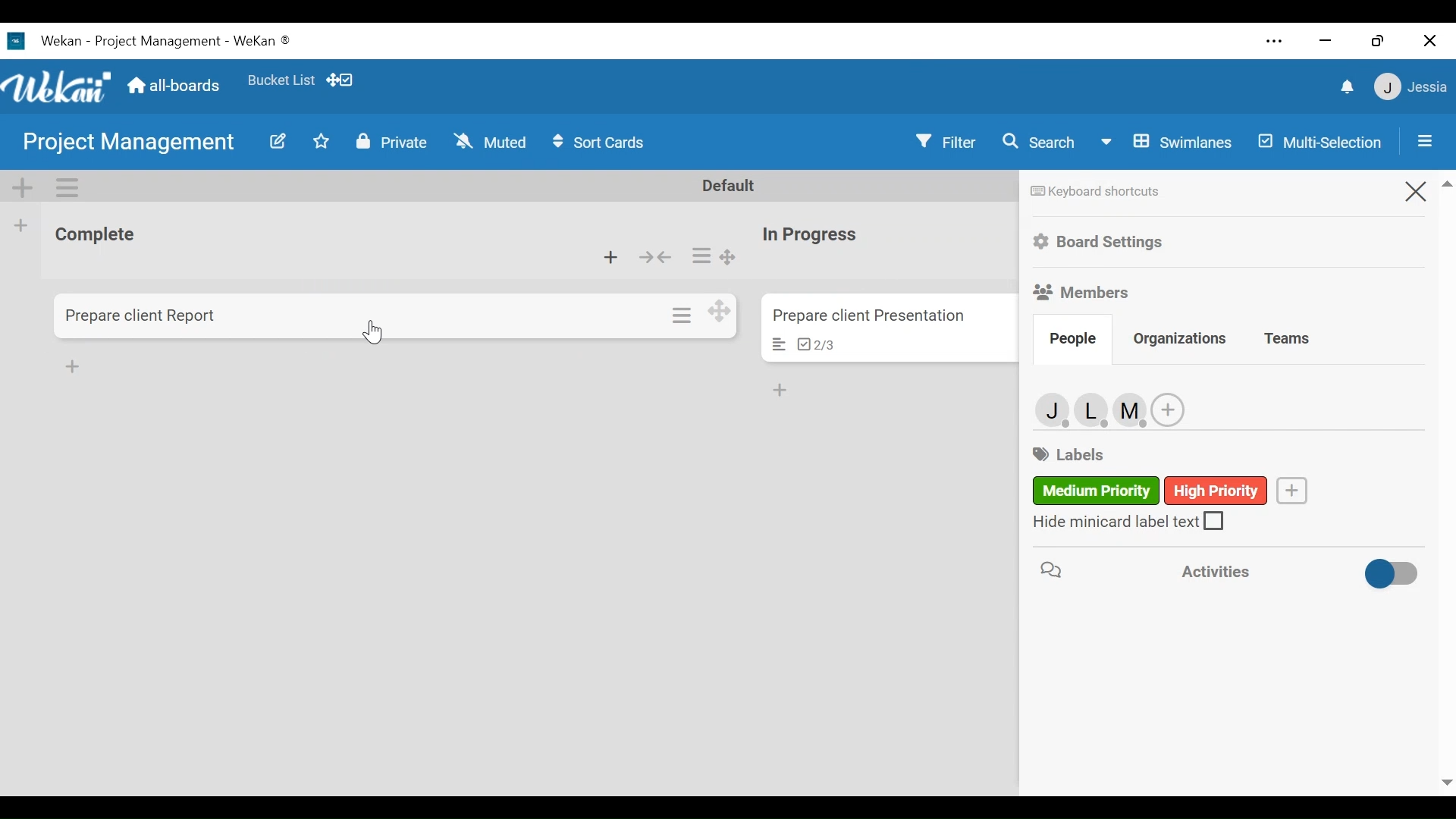 Image resolution: width=1456 pixels, height=819 pixels. Describe the element at coordinates (943, 141) in the screenshot. I see `Filter` at that location.